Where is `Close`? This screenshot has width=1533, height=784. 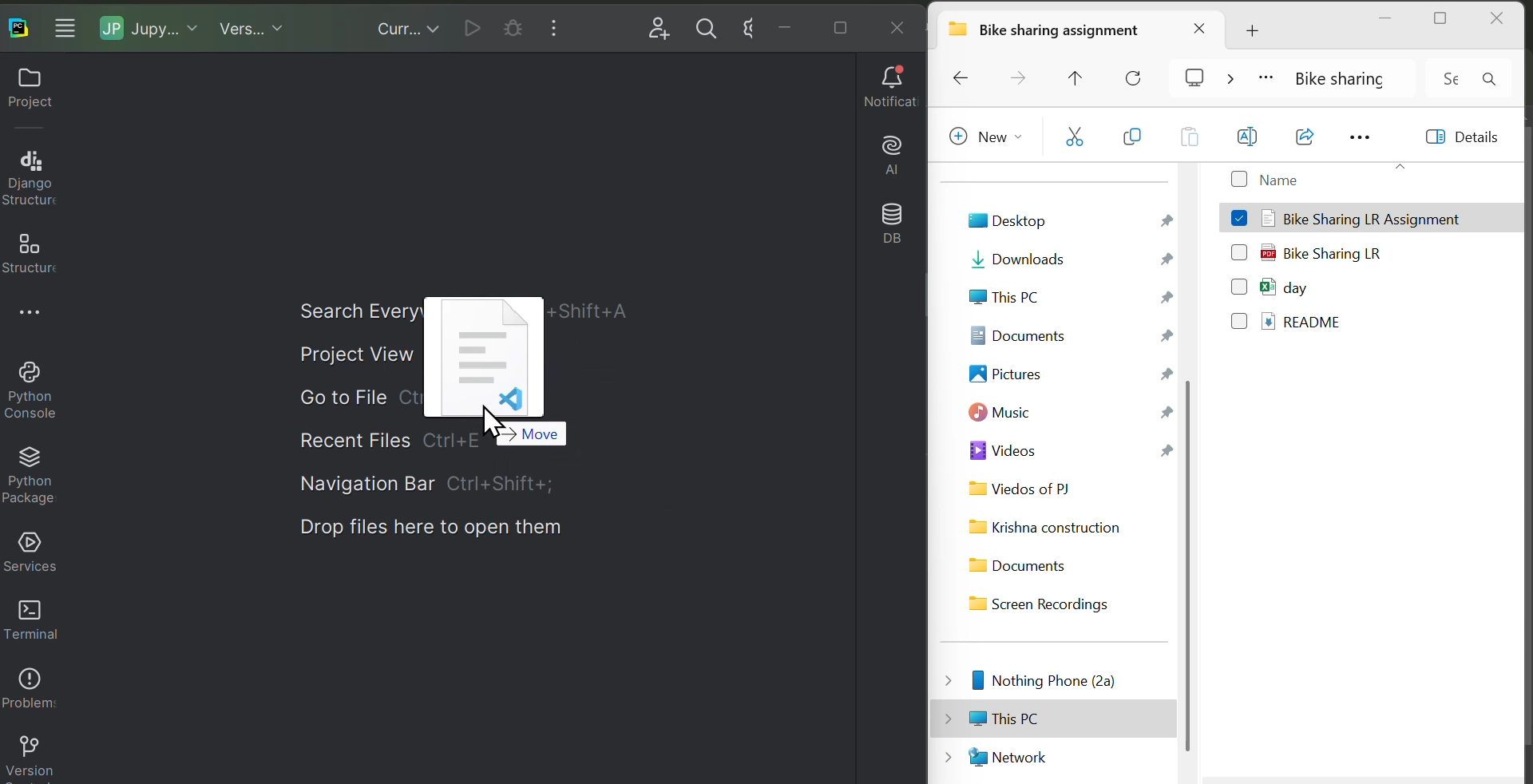
Close is located at coordinates (897, 28).